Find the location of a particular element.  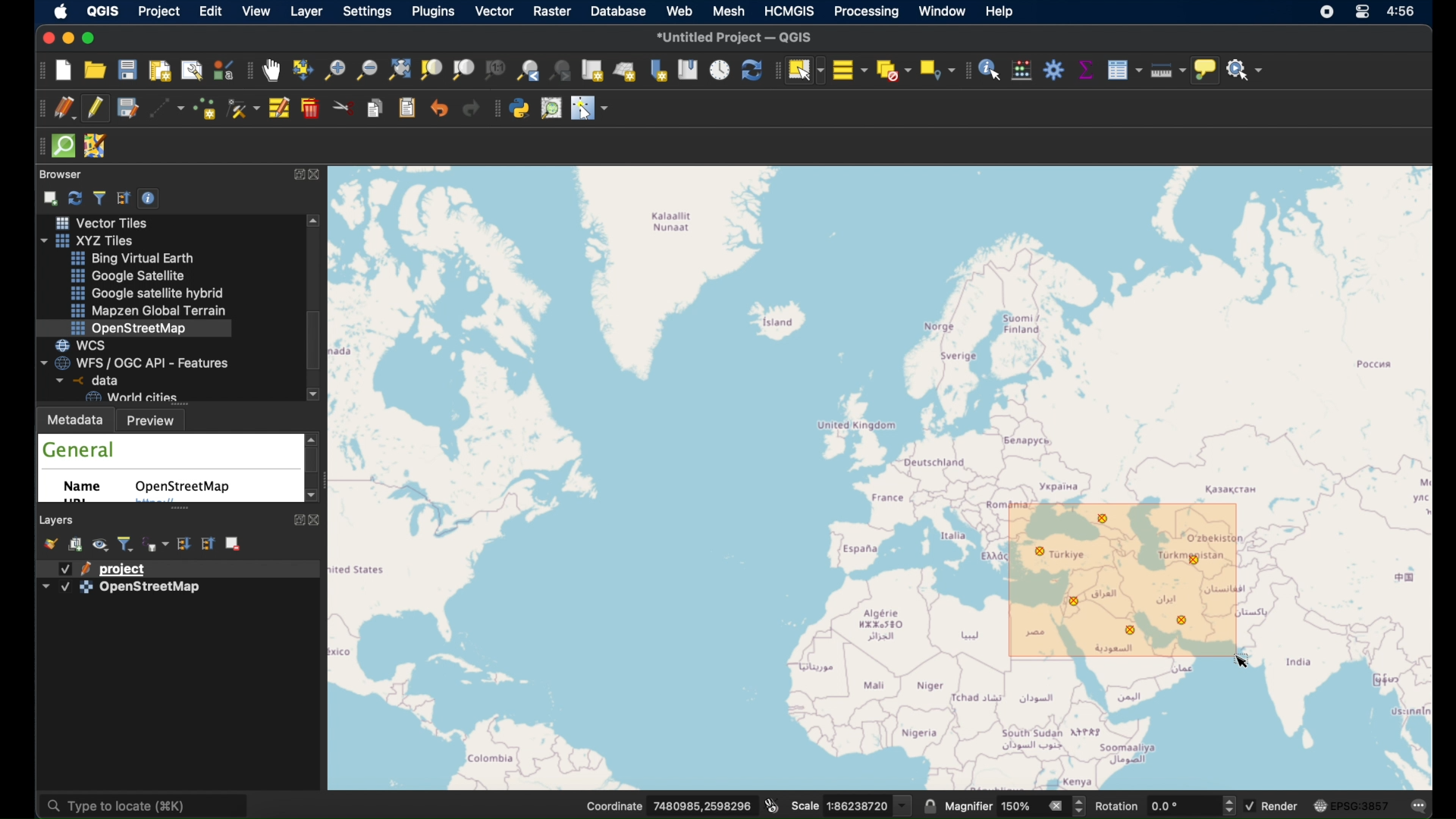

manage map themes is located at coordinates (102, 546).